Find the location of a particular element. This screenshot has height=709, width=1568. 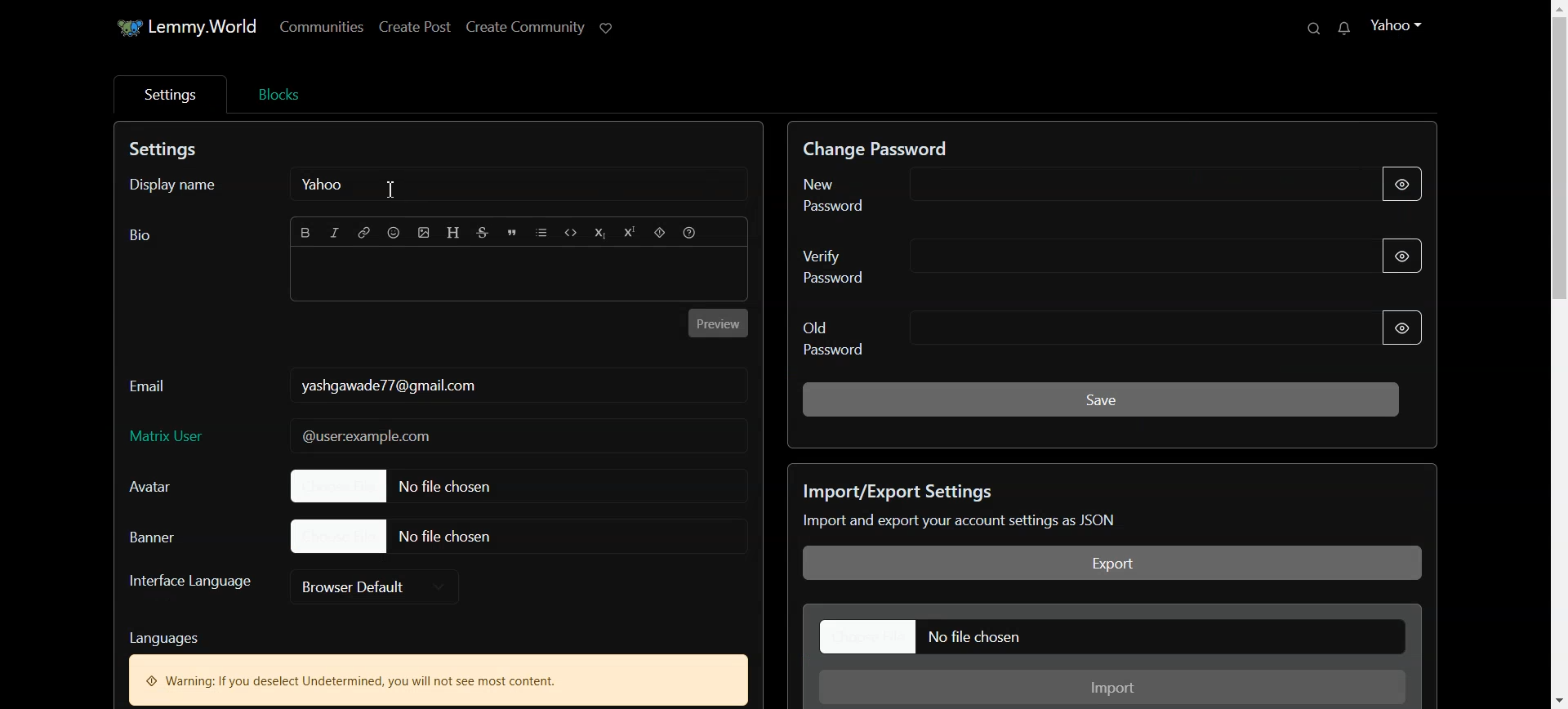

Save is located at coordinates (1101, 398).